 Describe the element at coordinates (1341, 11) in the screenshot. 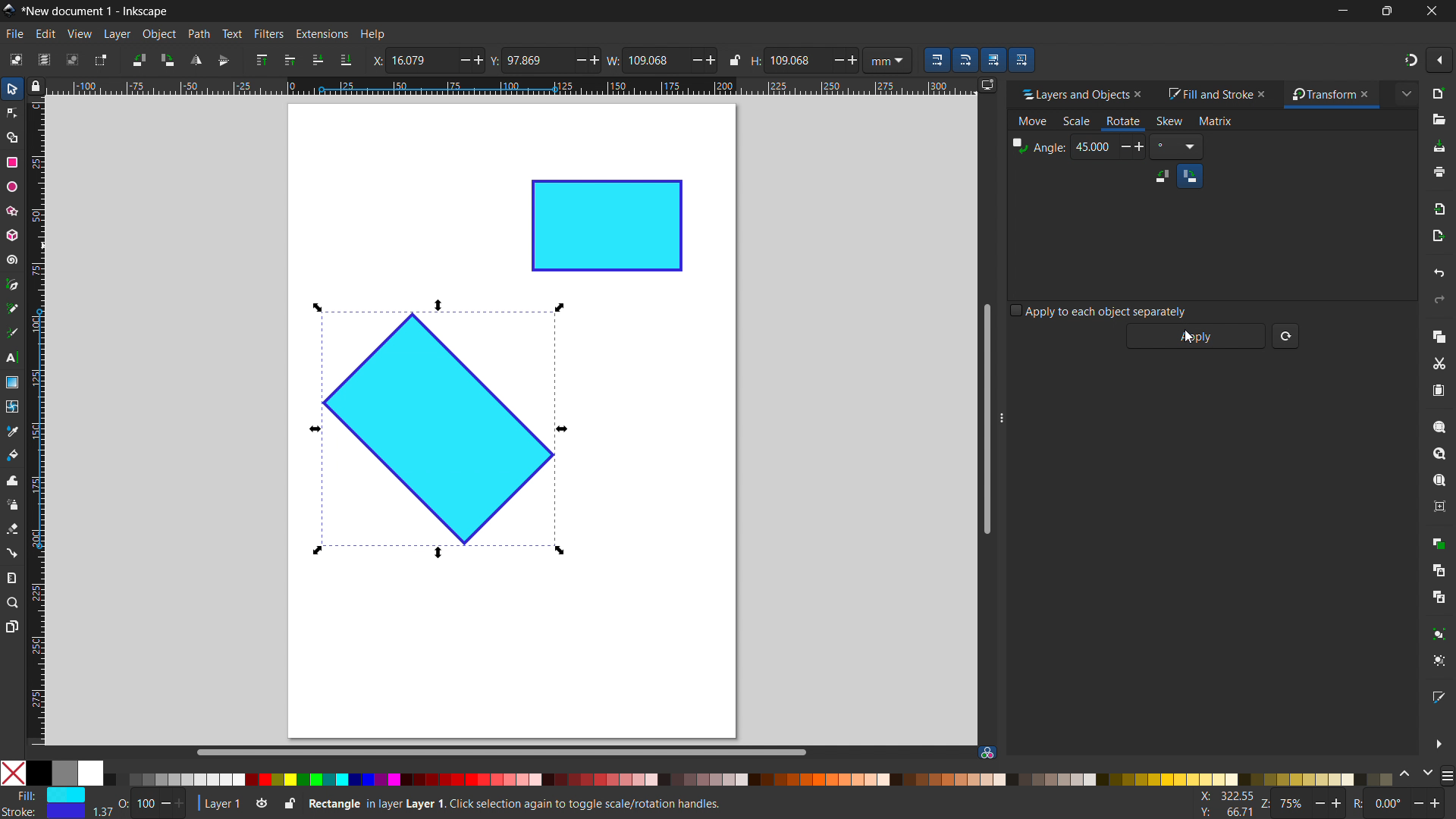

I see `minimize` at that location.